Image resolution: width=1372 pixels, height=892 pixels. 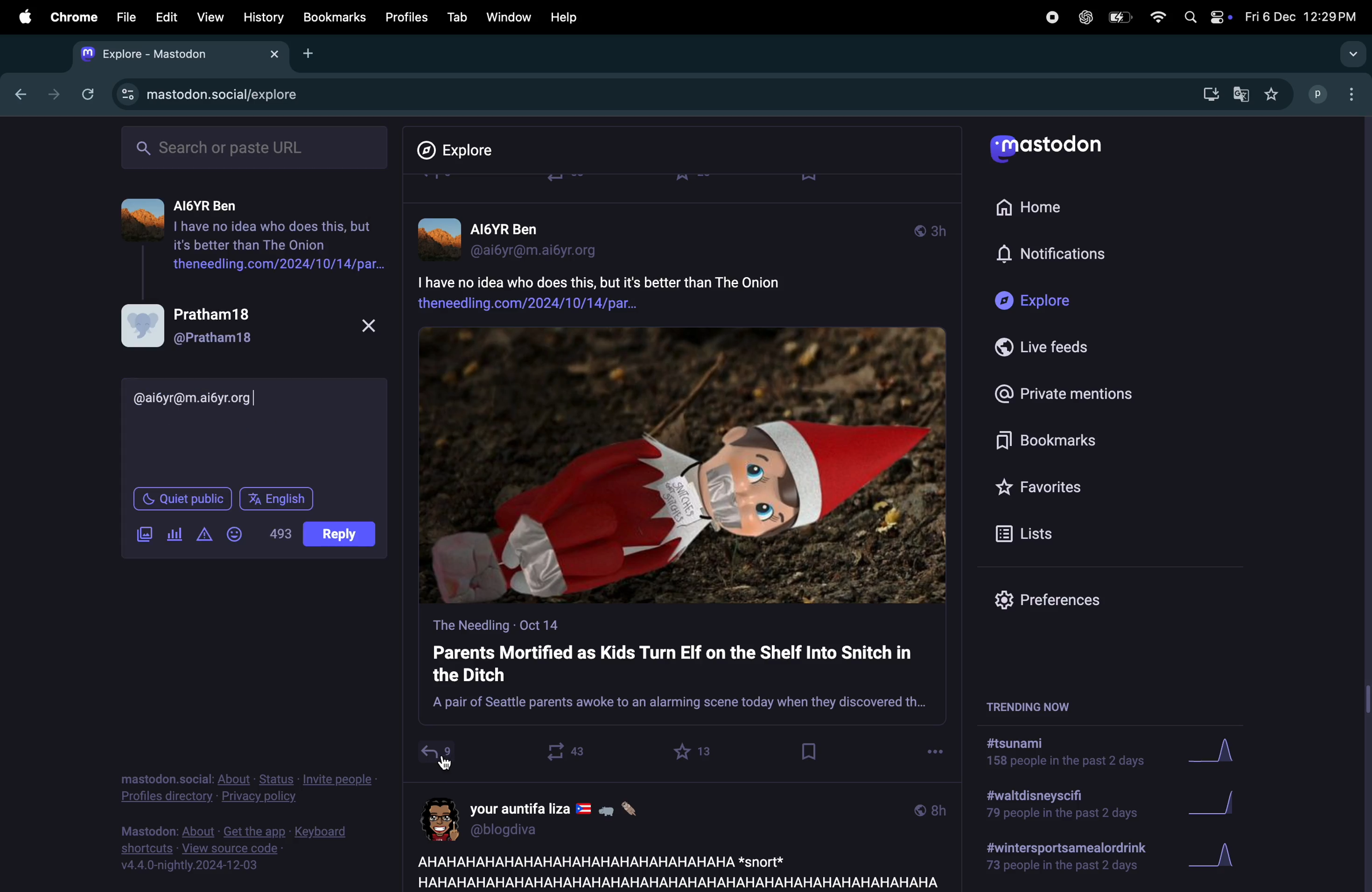 I want to click on Post, so click(x=342, y=537).